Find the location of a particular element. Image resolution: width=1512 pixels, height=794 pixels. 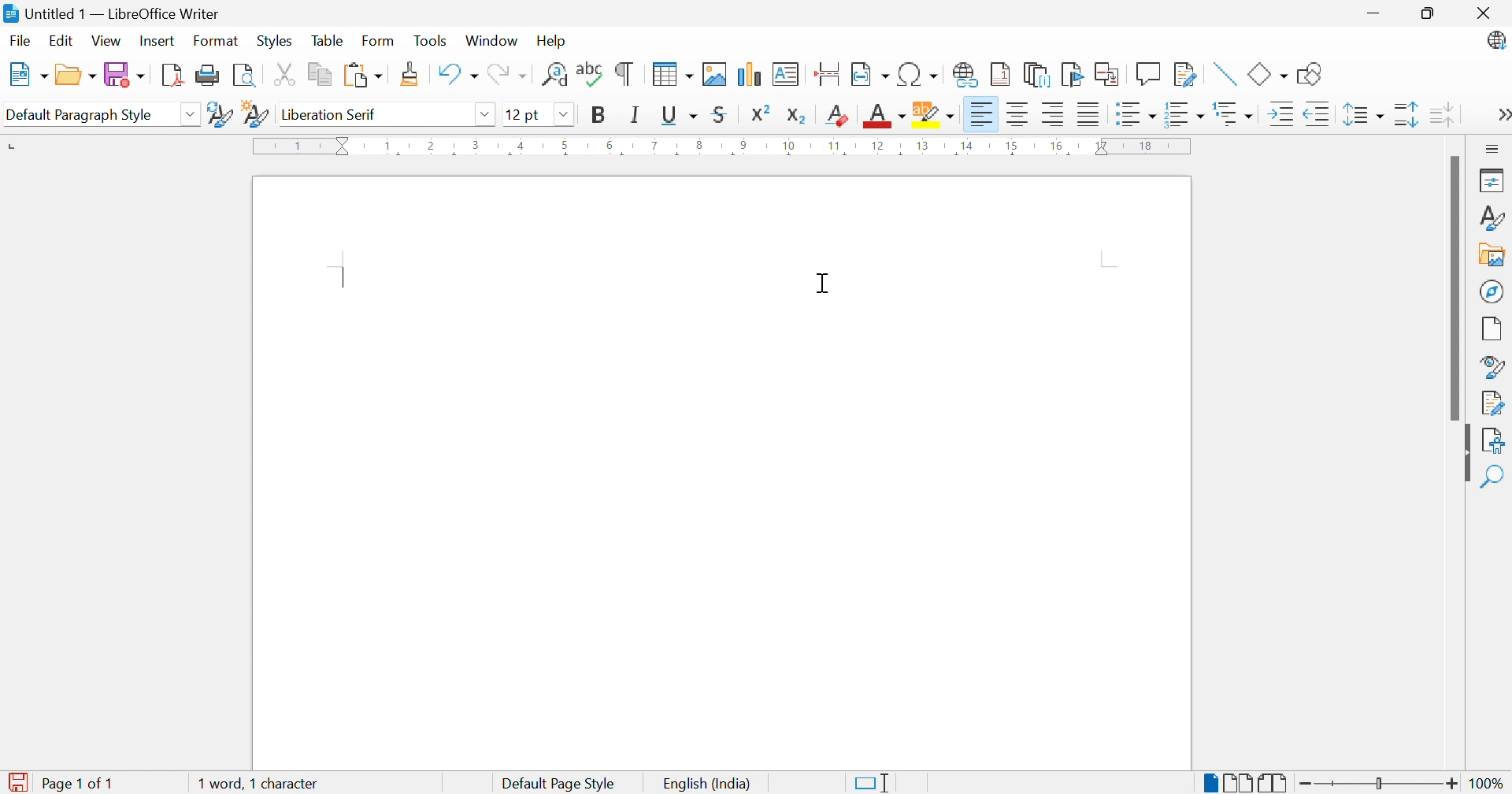

Typing Cursor is located at coordinates (343, 276).